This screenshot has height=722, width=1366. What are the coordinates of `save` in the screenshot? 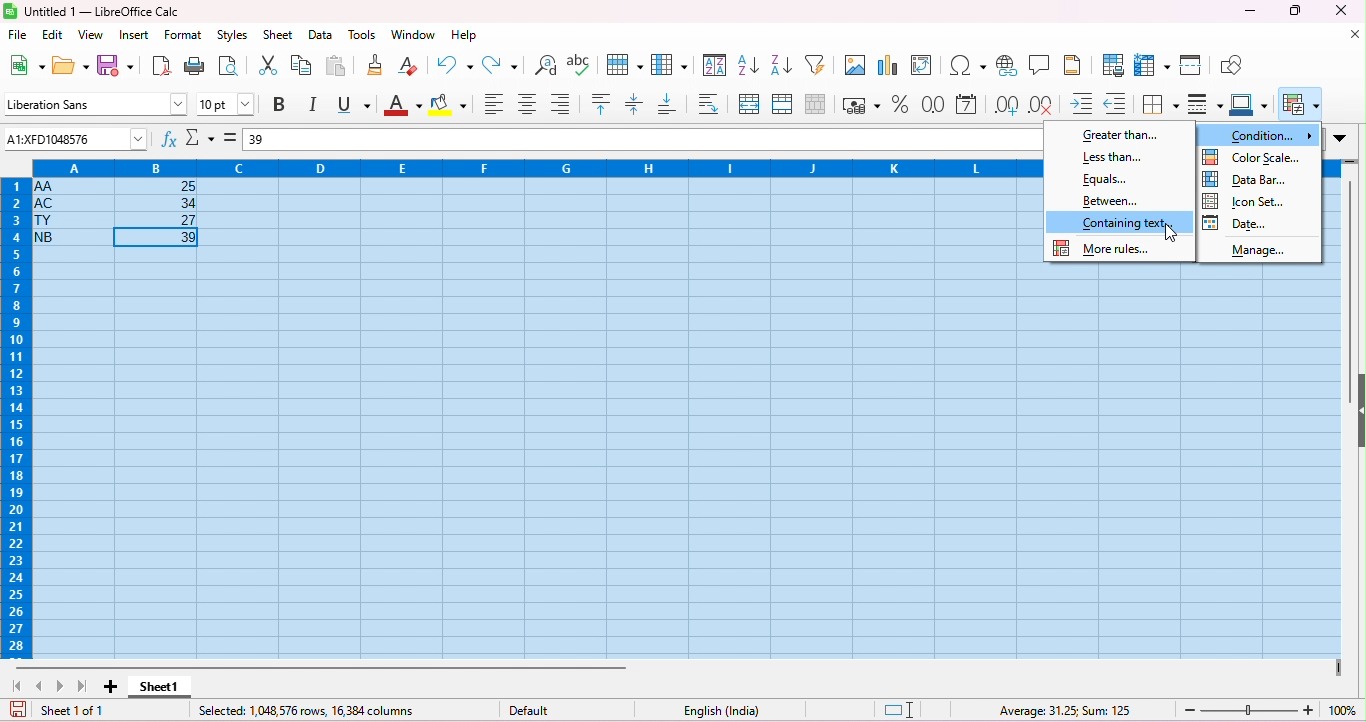 It's located at (18, 710).